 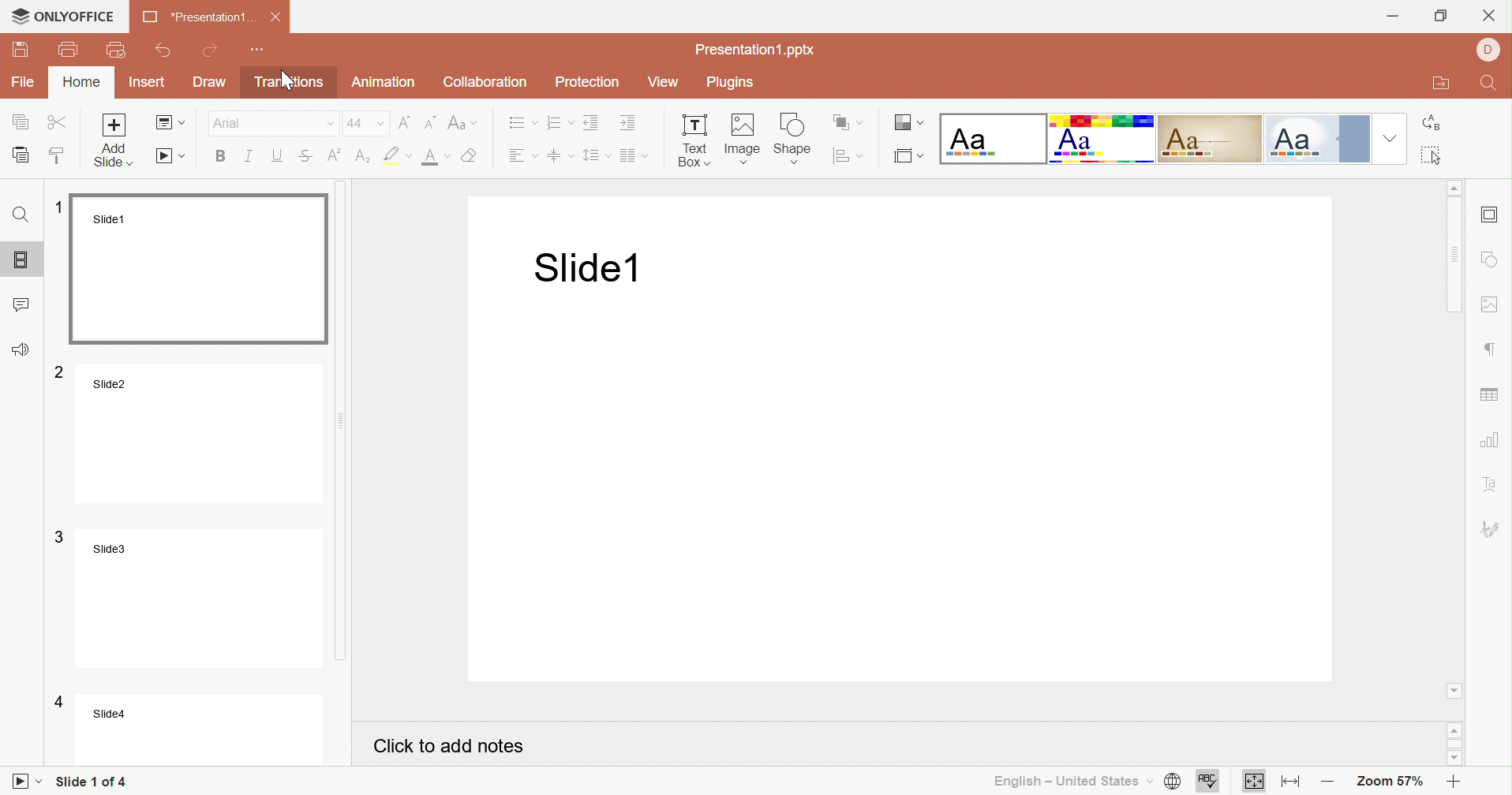 I want to click on Slide settings, so click(x=1489, y=215).